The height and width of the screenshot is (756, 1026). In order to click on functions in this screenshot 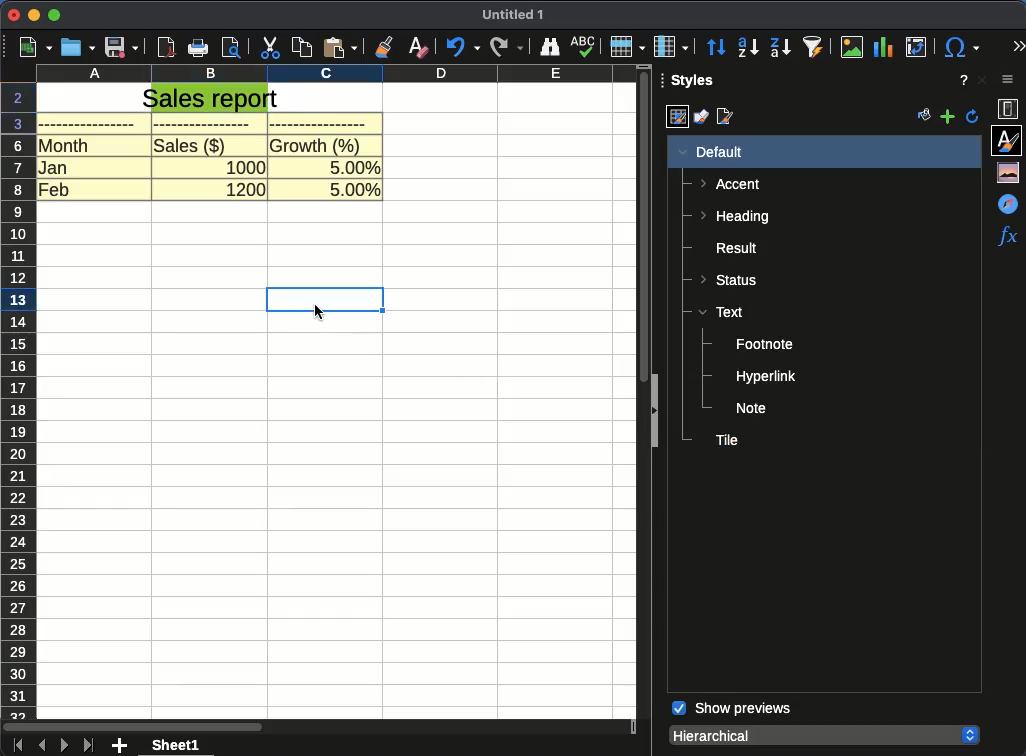, I will do `click(1007, 235)`.